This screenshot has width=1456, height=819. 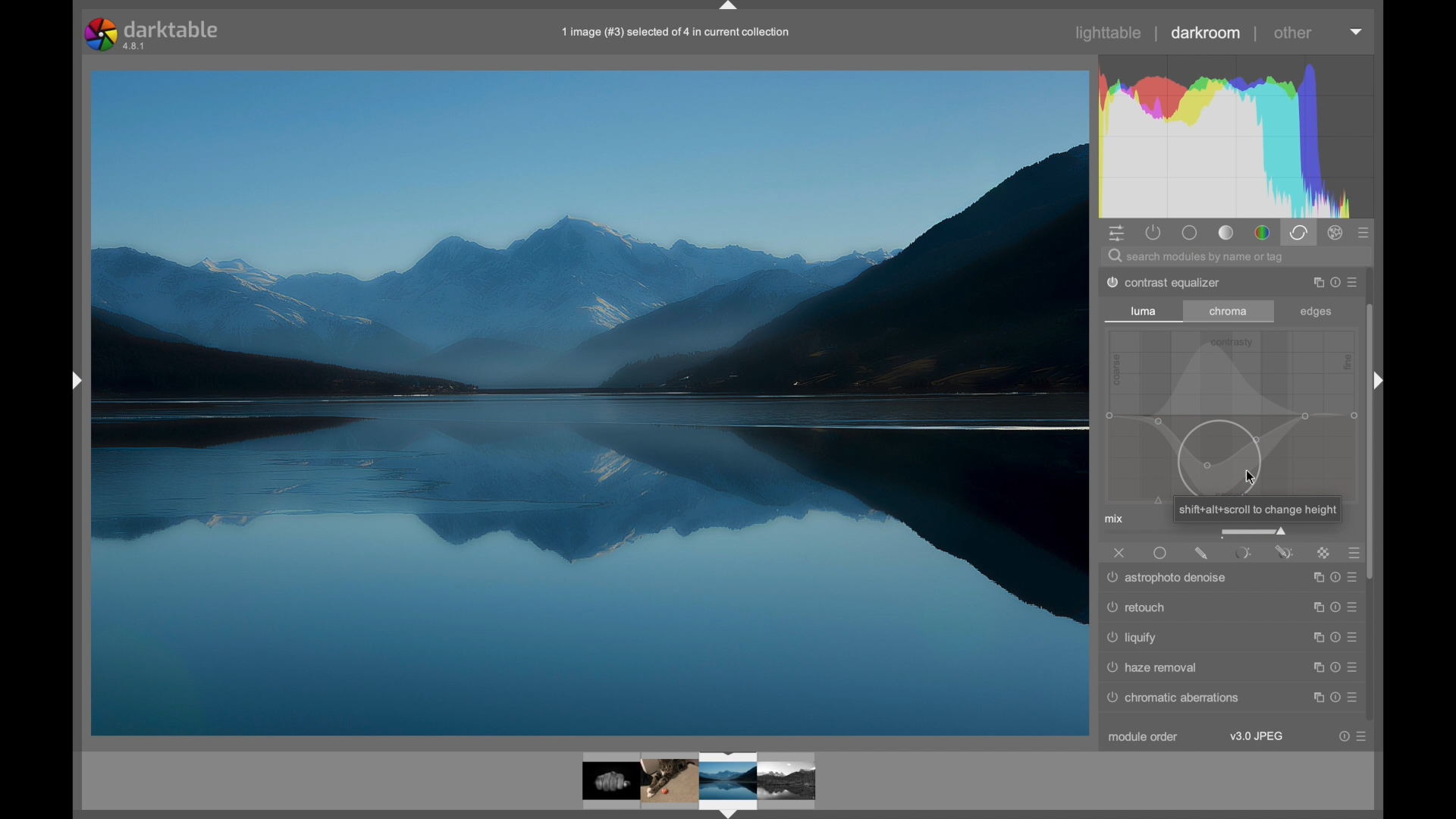 I want to click on mix, so click(x=1114, y=519).